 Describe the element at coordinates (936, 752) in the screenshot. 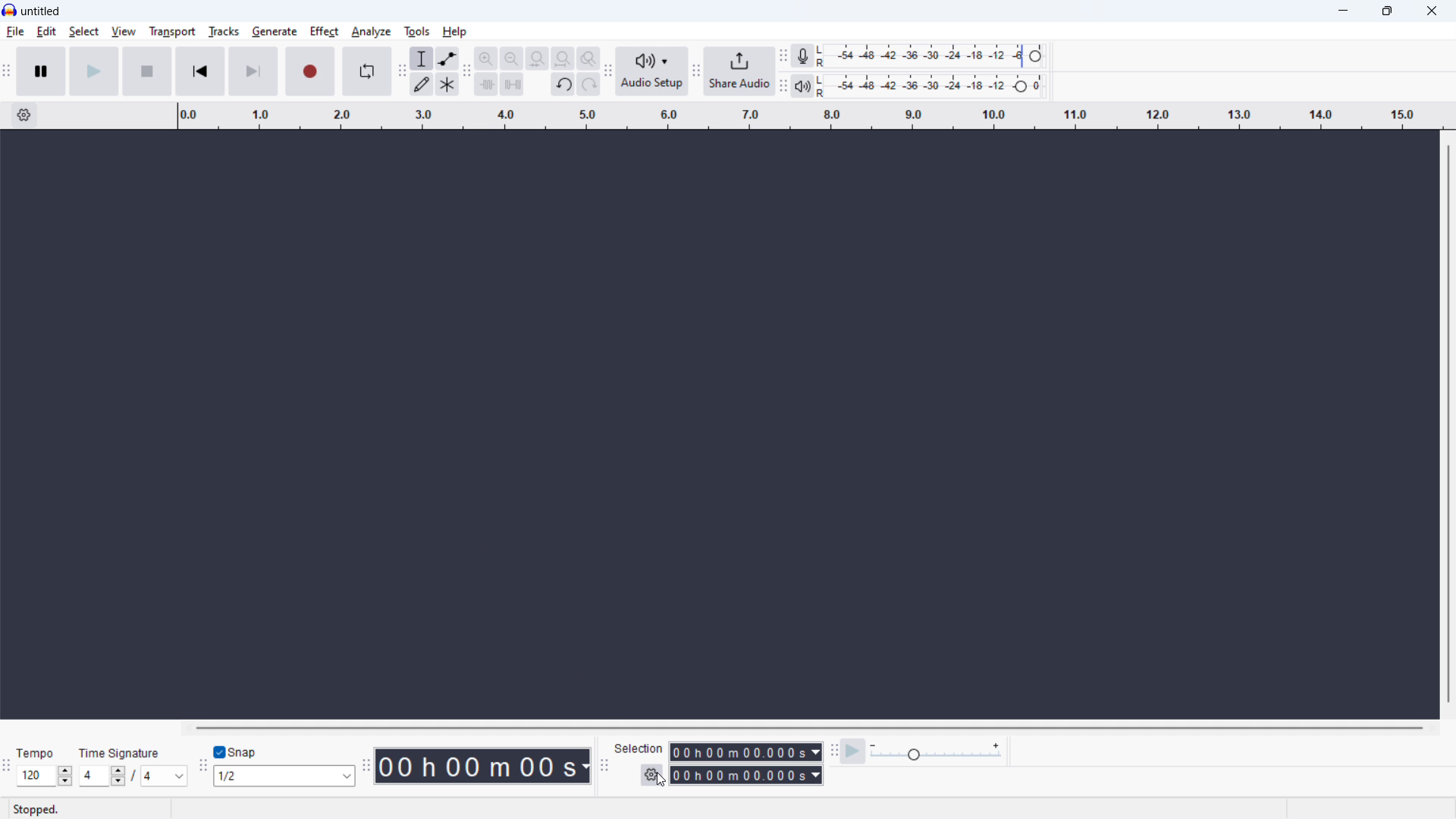

I see `playback speed` at that location.